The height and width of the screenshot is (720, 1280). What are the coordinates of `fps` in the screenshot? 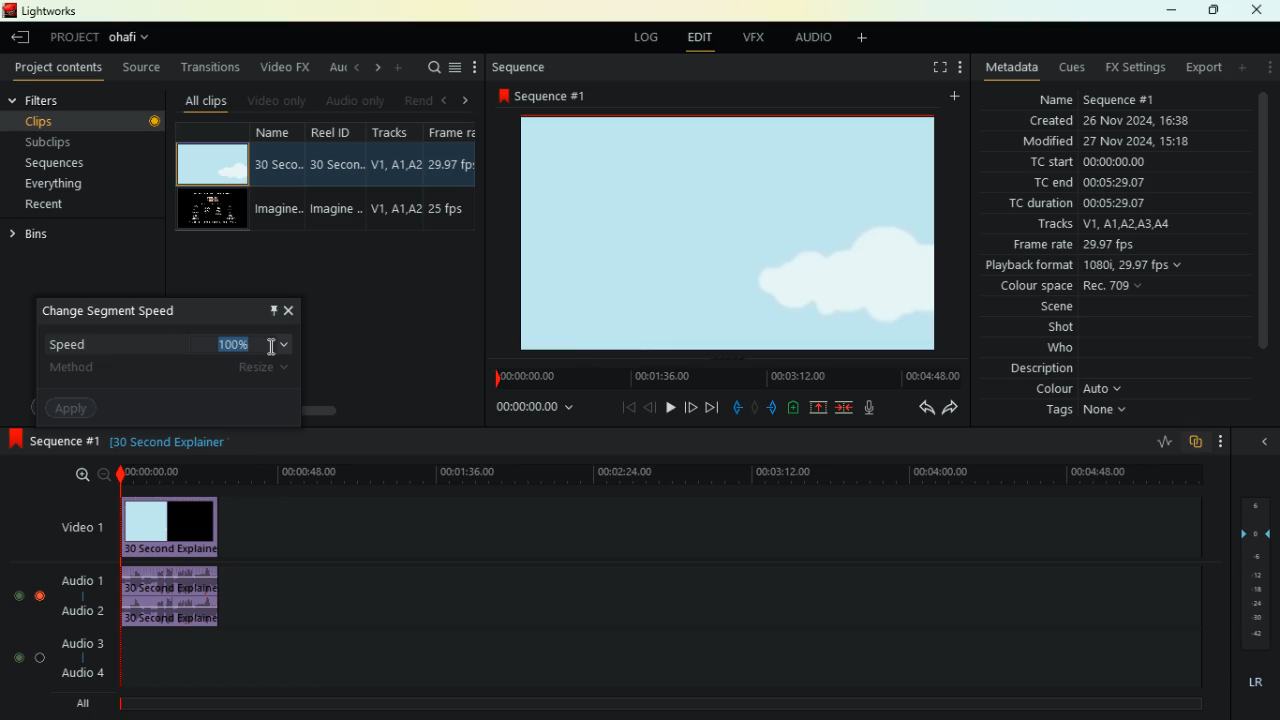 It's located at (455, 179).